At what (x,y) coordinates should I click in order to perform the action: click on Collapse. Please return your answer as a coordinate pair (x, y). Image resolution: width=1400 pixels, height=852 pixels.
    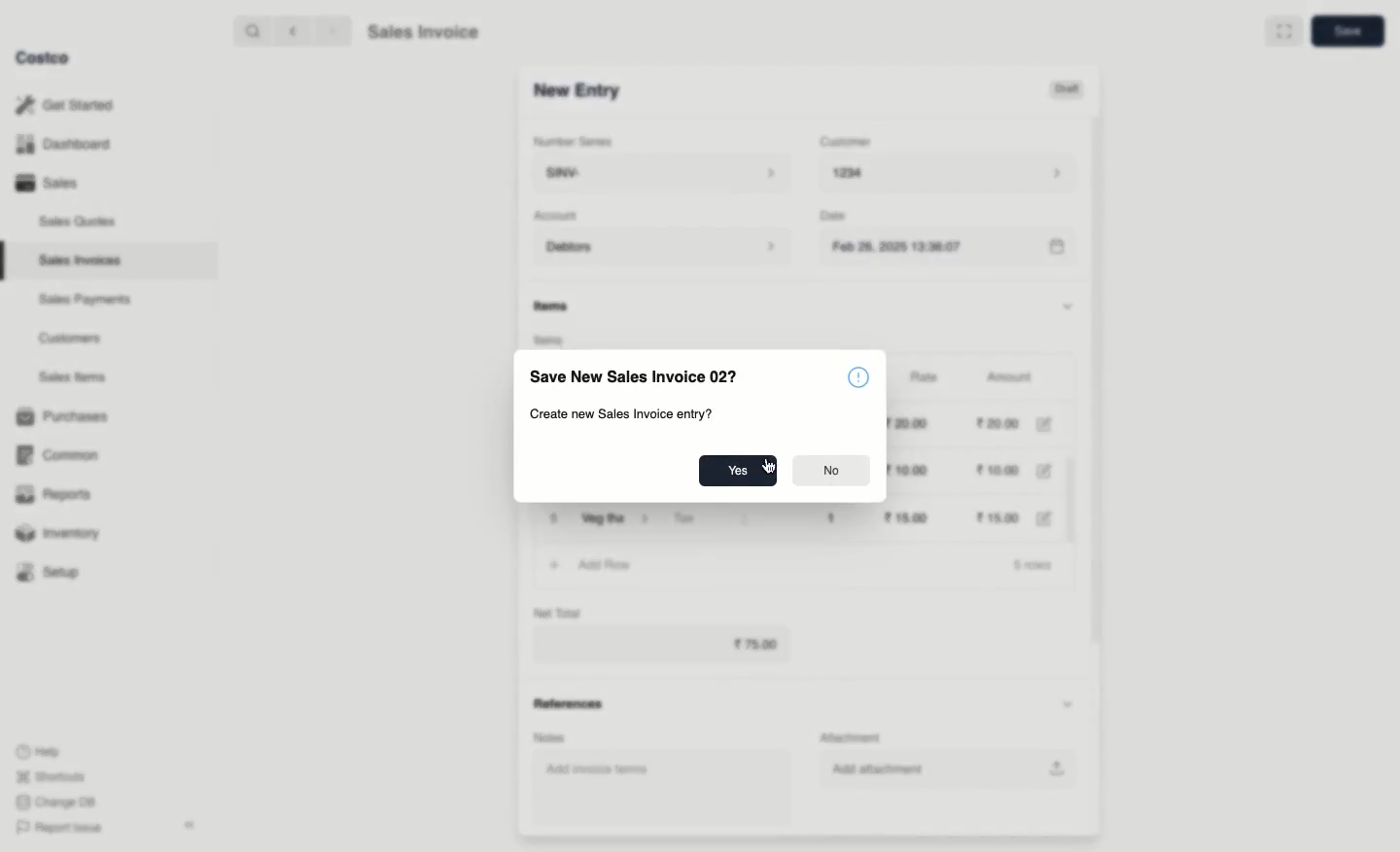
    Looking at the image, I should click on (192, 826).